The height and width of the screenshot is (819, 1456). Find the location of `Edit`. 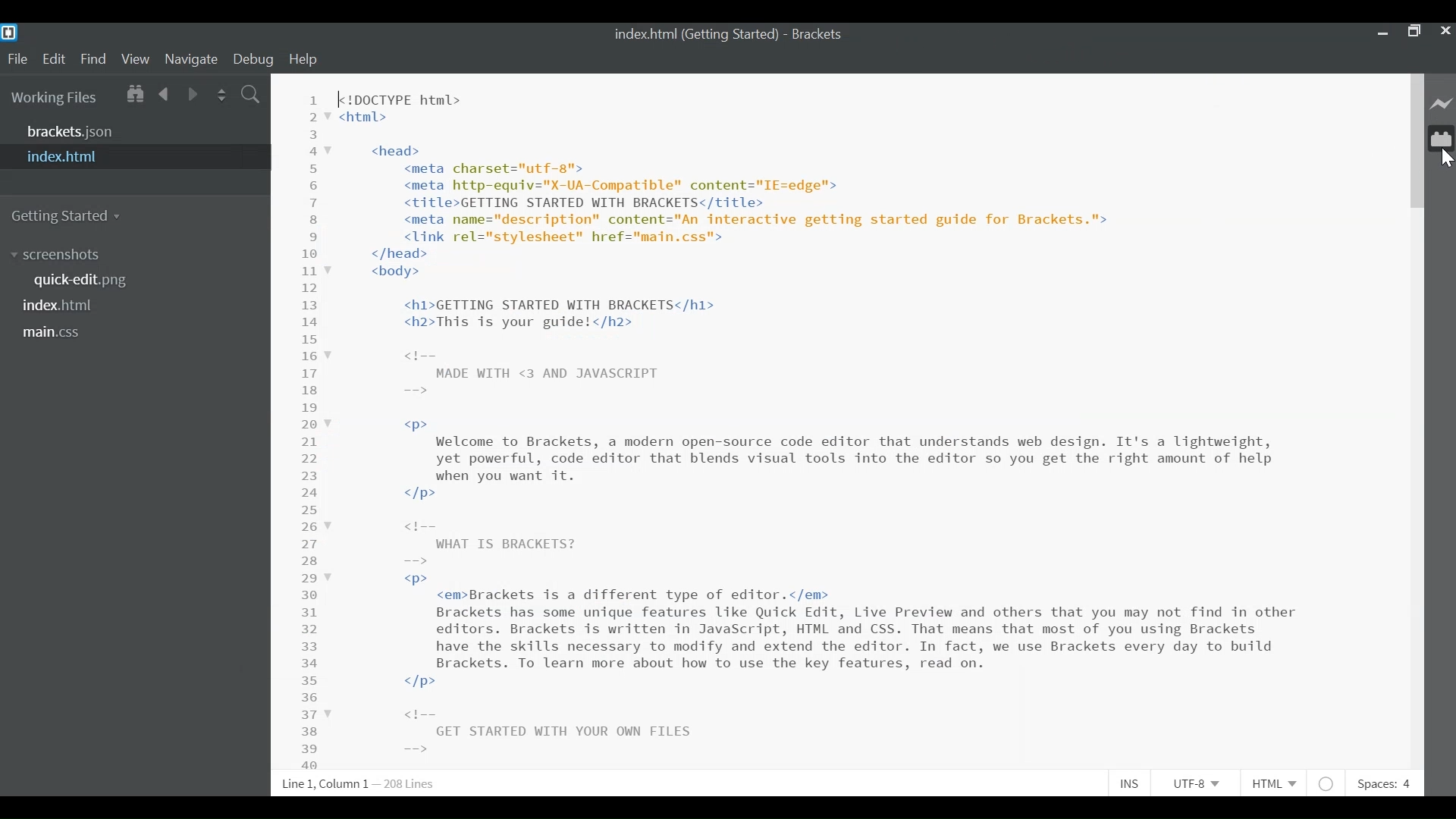

Edit is located at coordinates (54, 59).